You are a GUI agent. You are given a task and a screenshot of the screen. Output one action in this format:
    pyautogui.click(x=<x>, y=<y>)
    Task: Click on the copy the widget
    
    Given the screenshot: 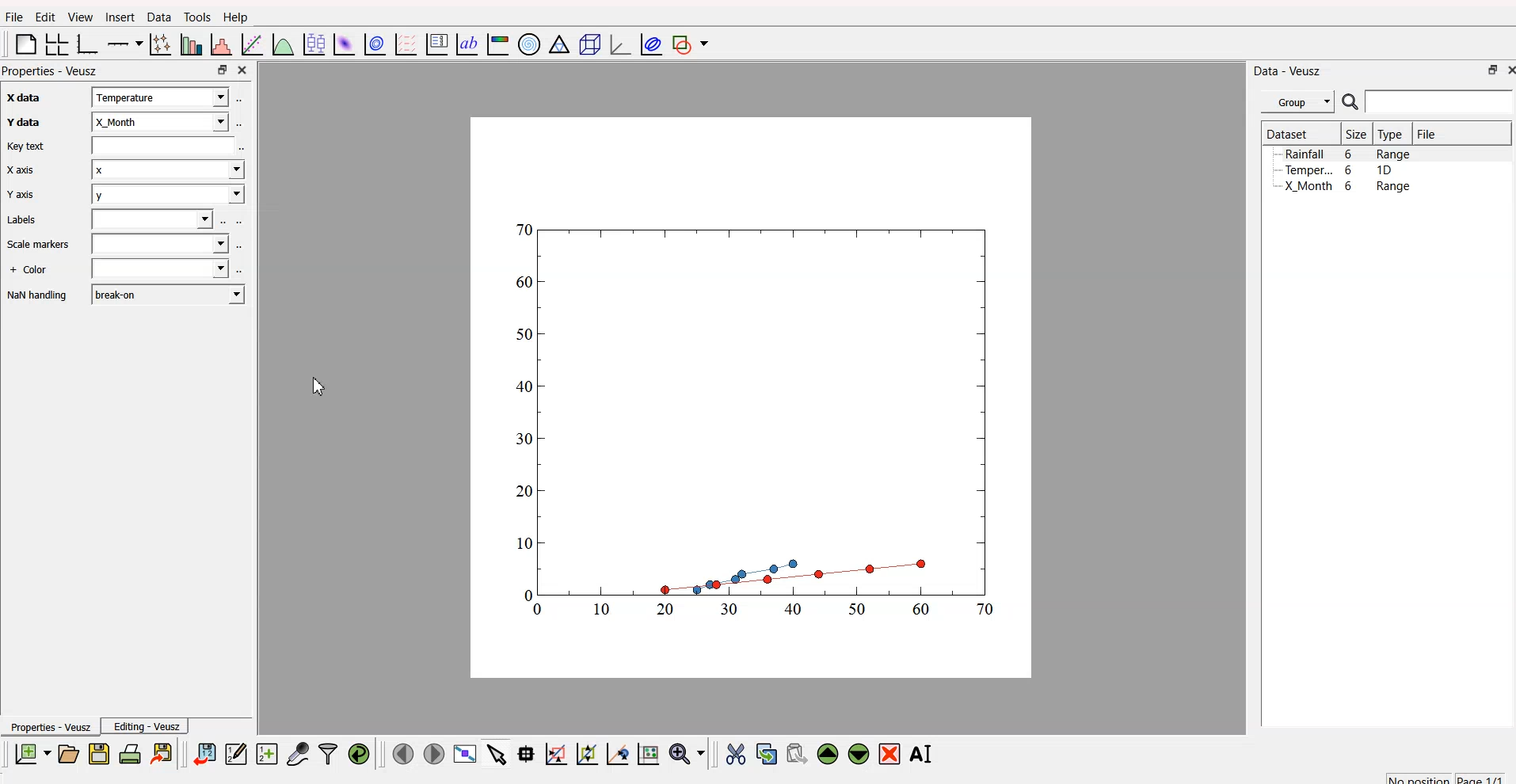 What is the action you would take?
    pyautogui.click(x=766, y=752)
    